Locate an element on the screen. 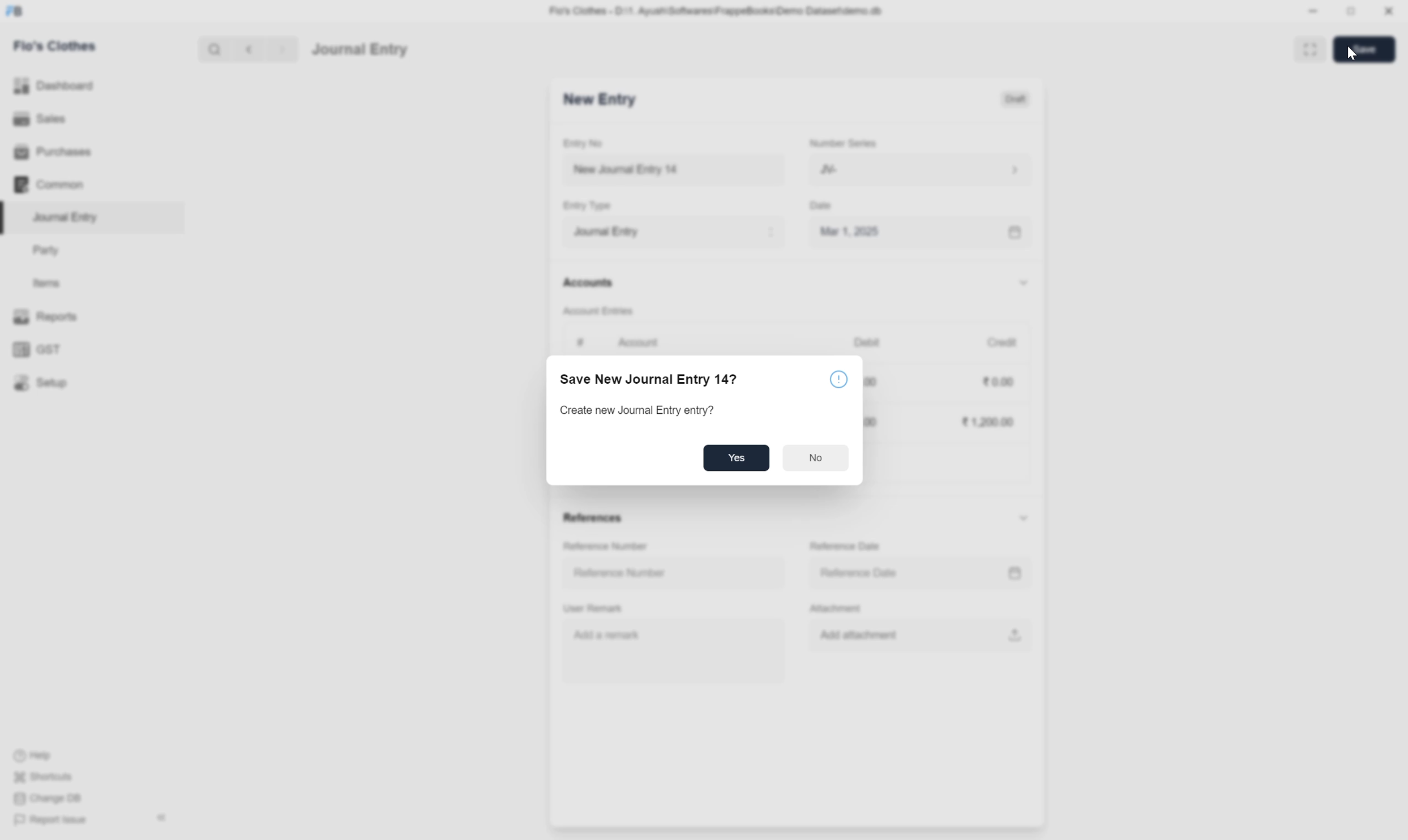 This screenshot has width=1408, height=840. Add attachment is located at coordinates (868, 636).